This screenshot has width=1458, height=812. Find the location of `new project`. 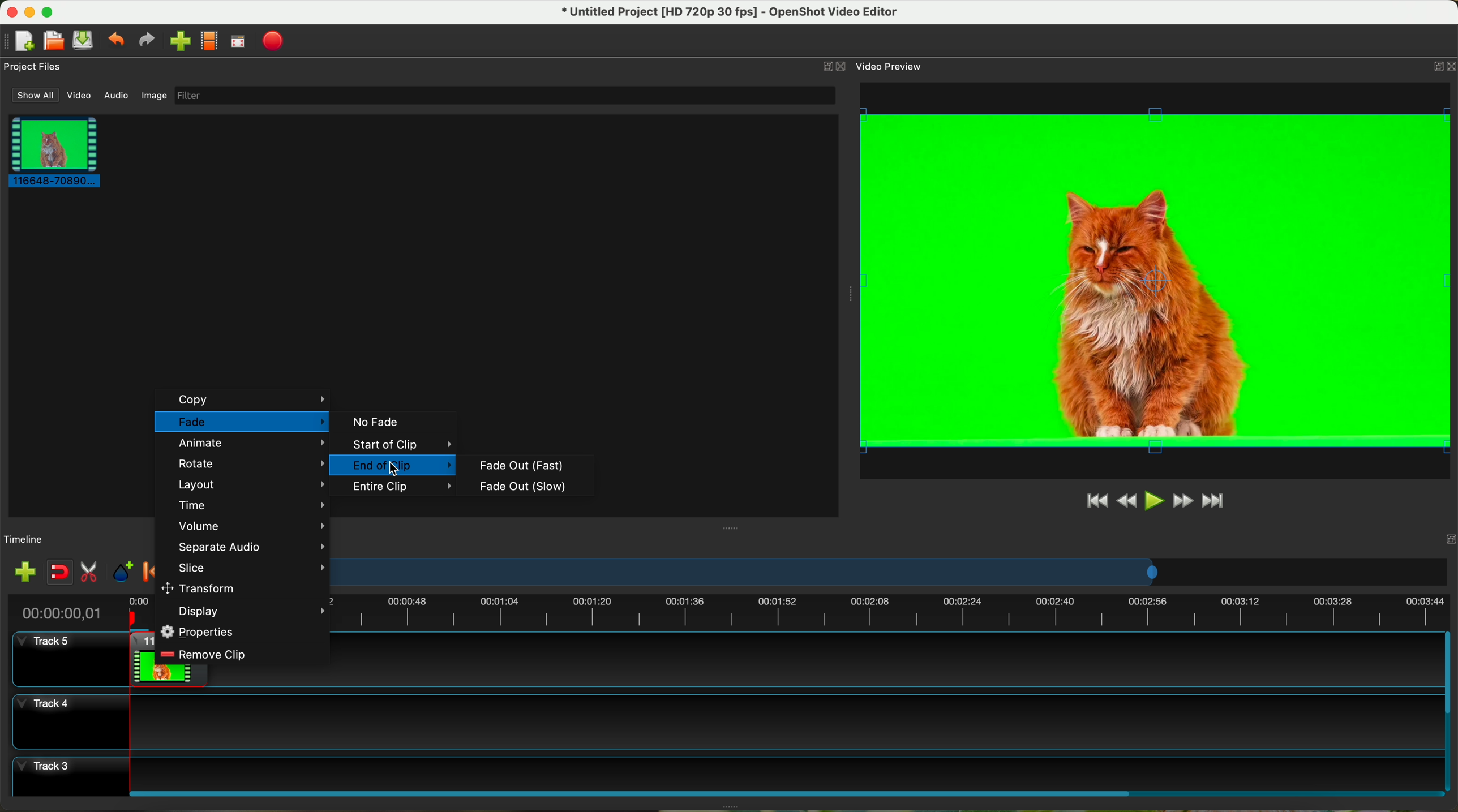

new project is located at coordinates (19, 41).